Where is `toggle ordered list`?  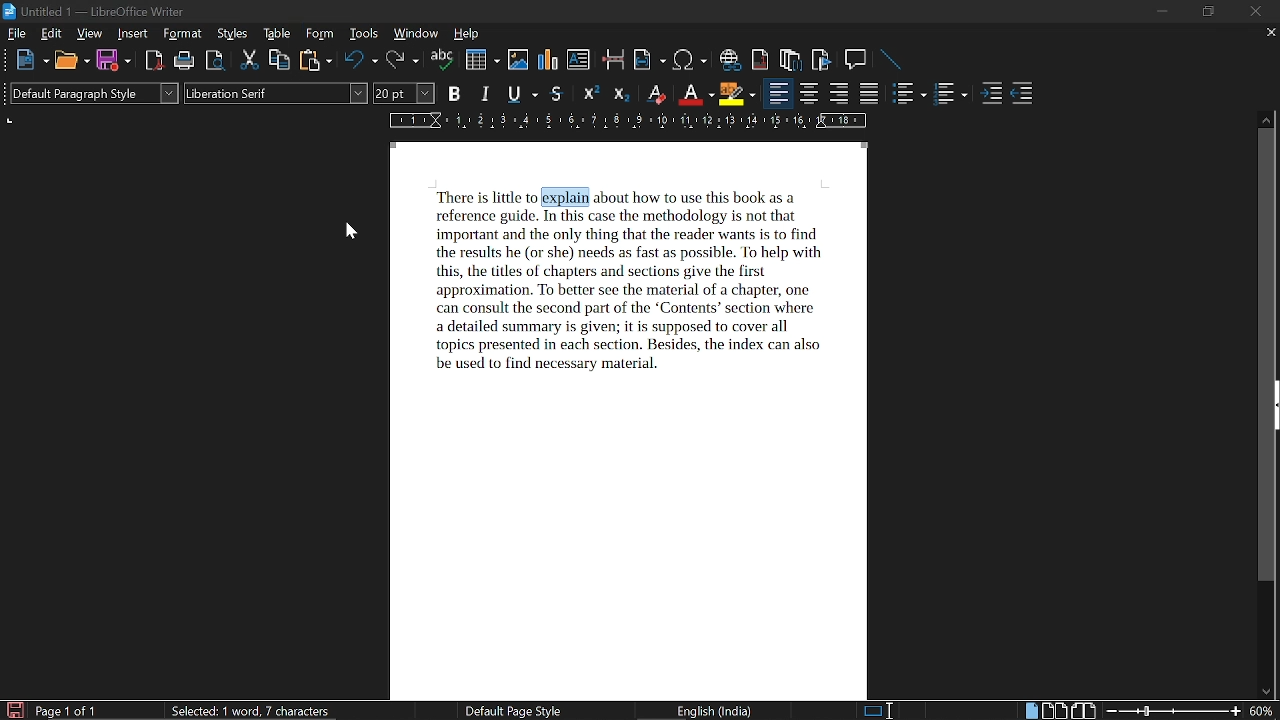
toggle ordered list is located at coordinates (910, 94).